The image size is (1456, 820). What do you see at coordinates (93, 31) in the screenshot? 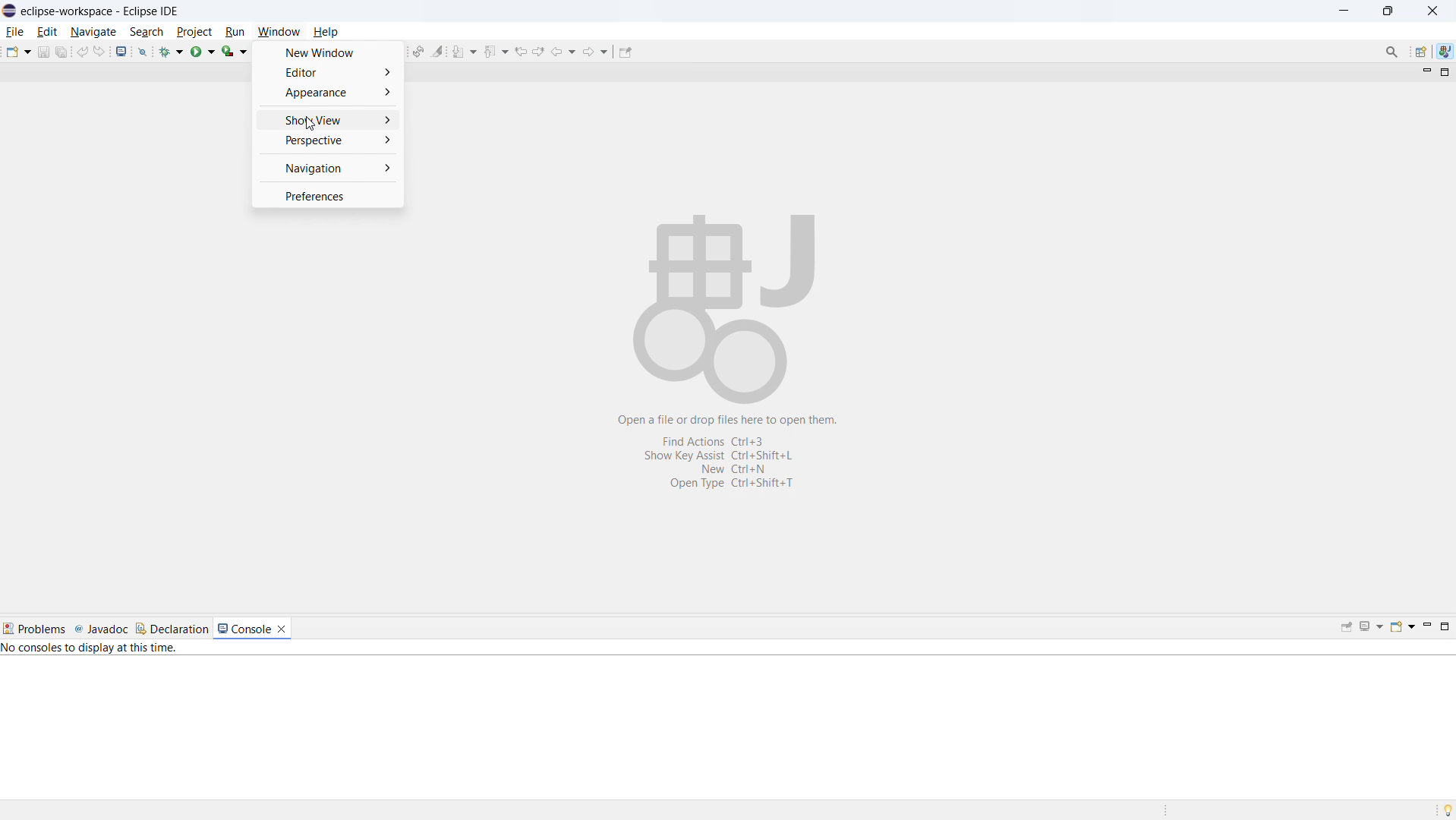
I see `navigate` at bounding box center [93, 31].